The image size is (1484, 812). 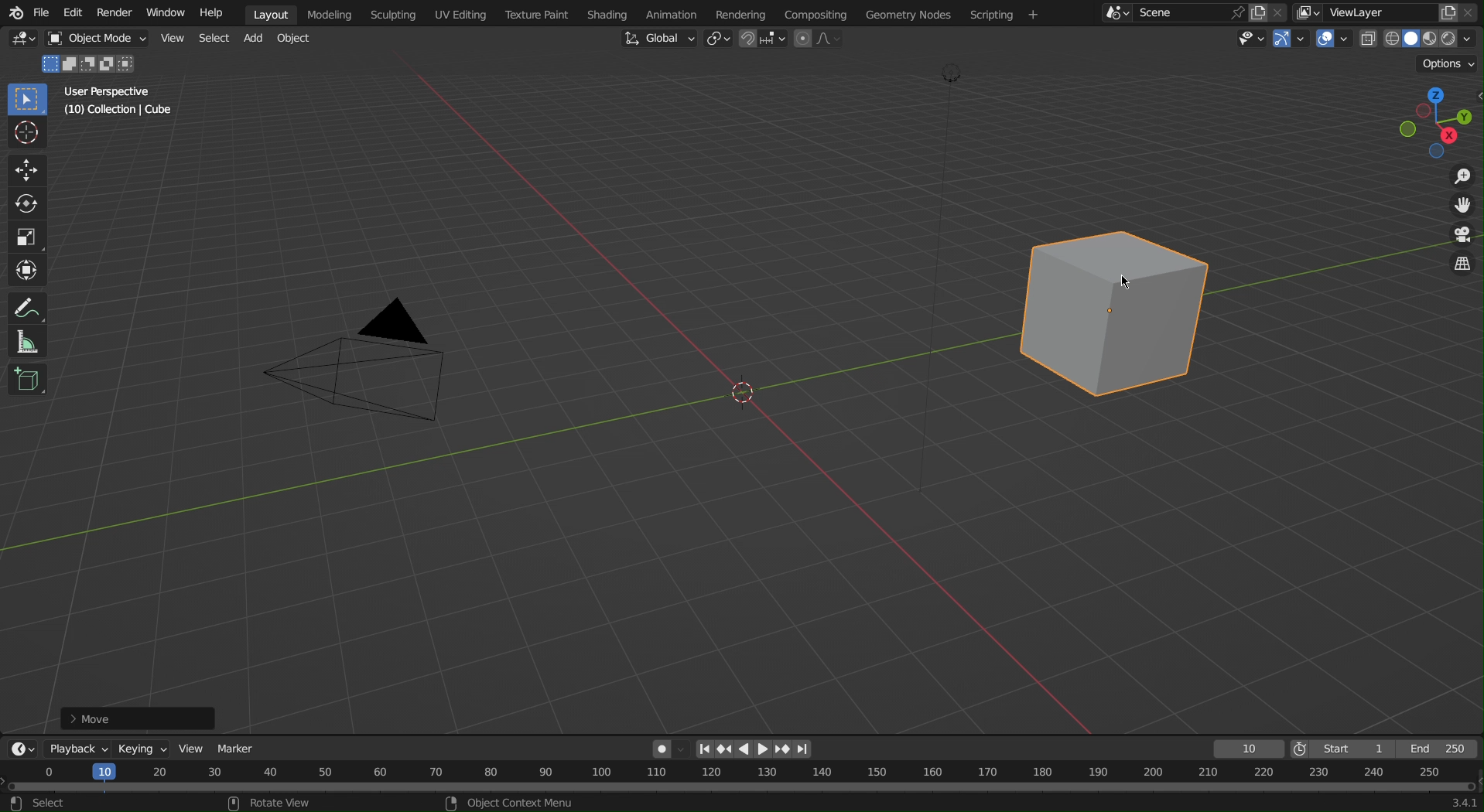 What do you see at coordinates (393, 13) in the screenshot?
I see `Sculpting` at bounding box center [393, 13].